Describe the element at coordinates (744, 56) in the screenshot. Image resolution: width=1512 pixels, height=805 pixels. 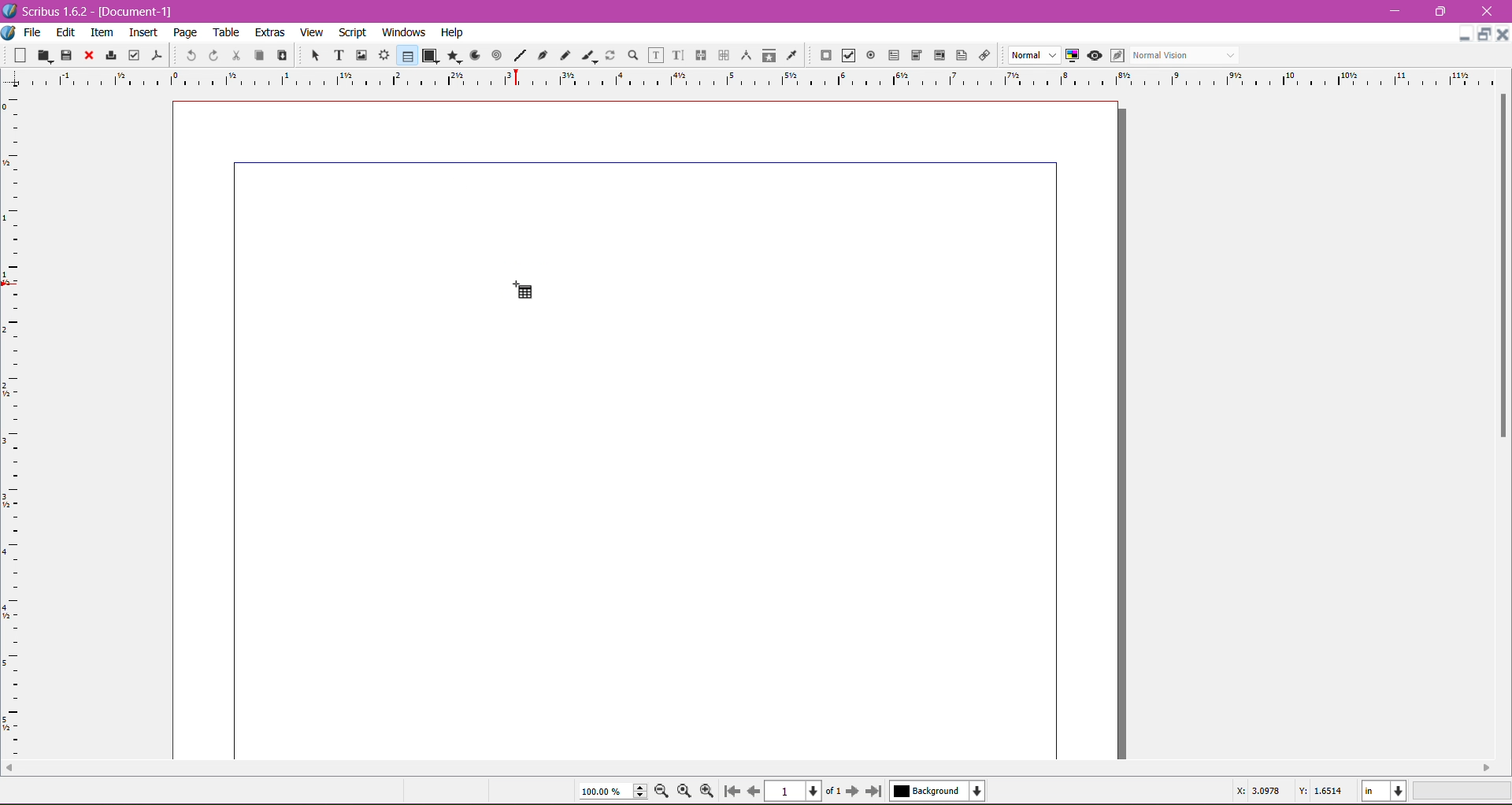
I see `Measurements` at that location.